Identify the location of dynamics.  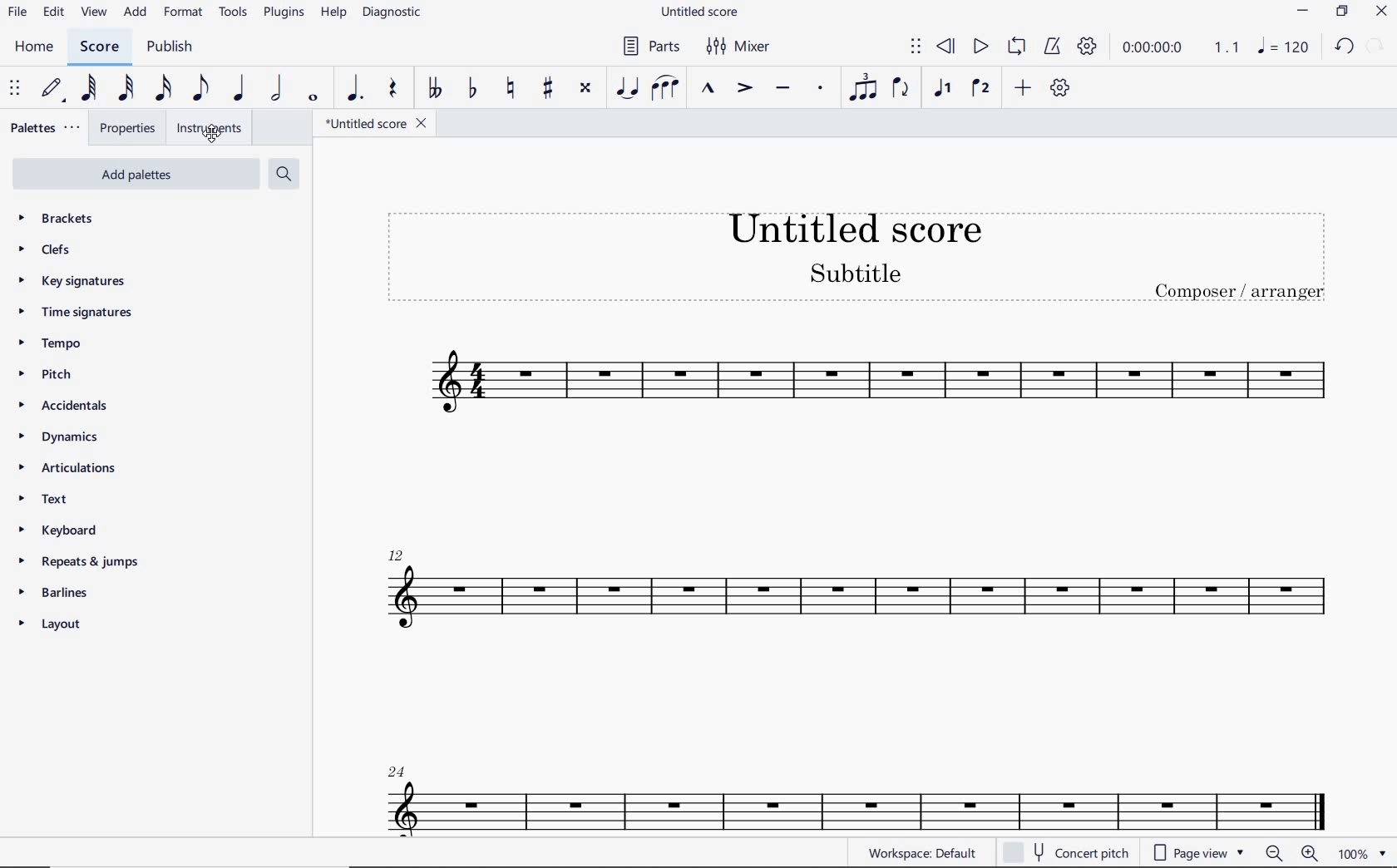
(62, 436).